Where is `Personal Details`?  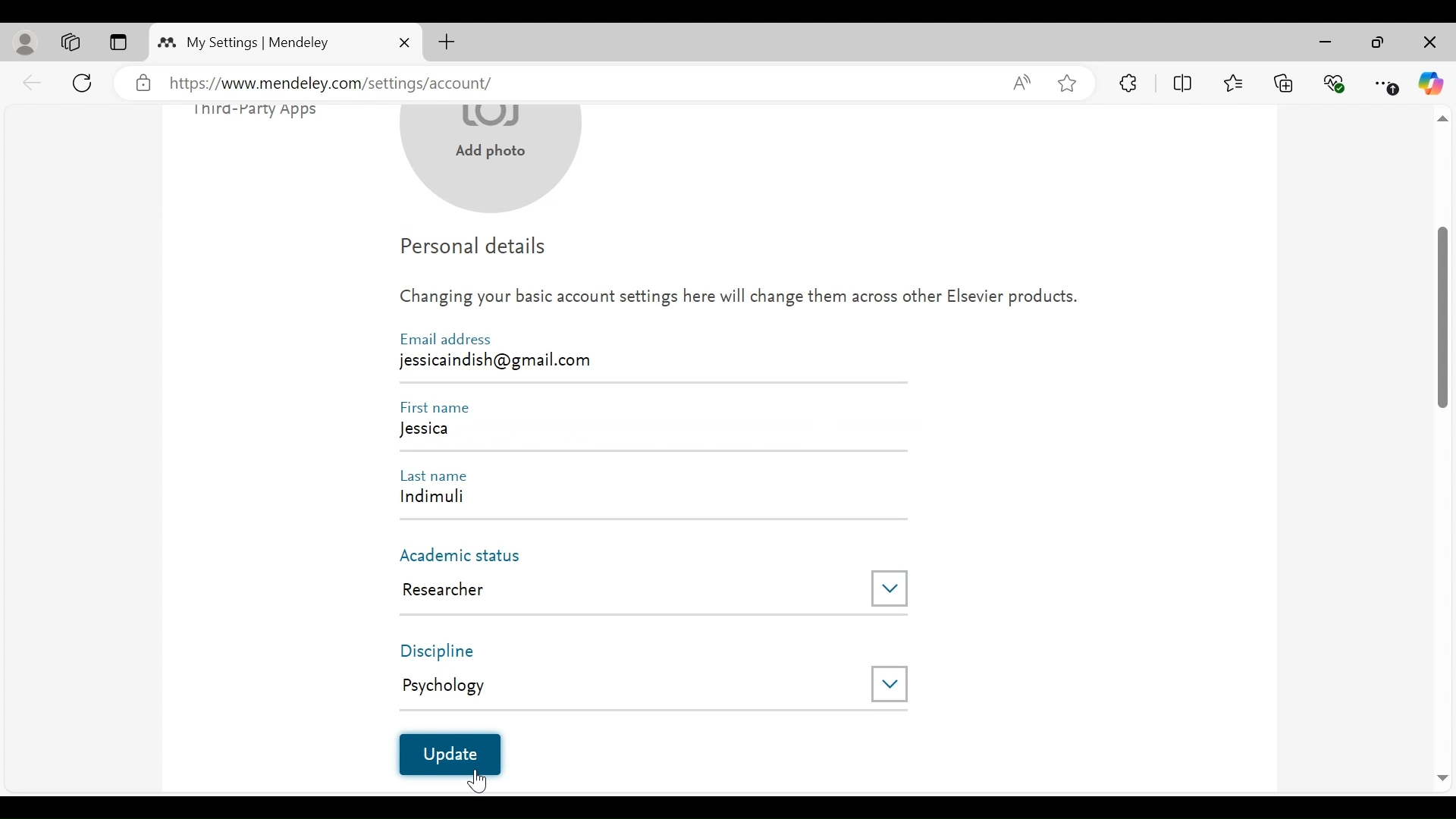
Personal Details is located at coordinates (475, 249).